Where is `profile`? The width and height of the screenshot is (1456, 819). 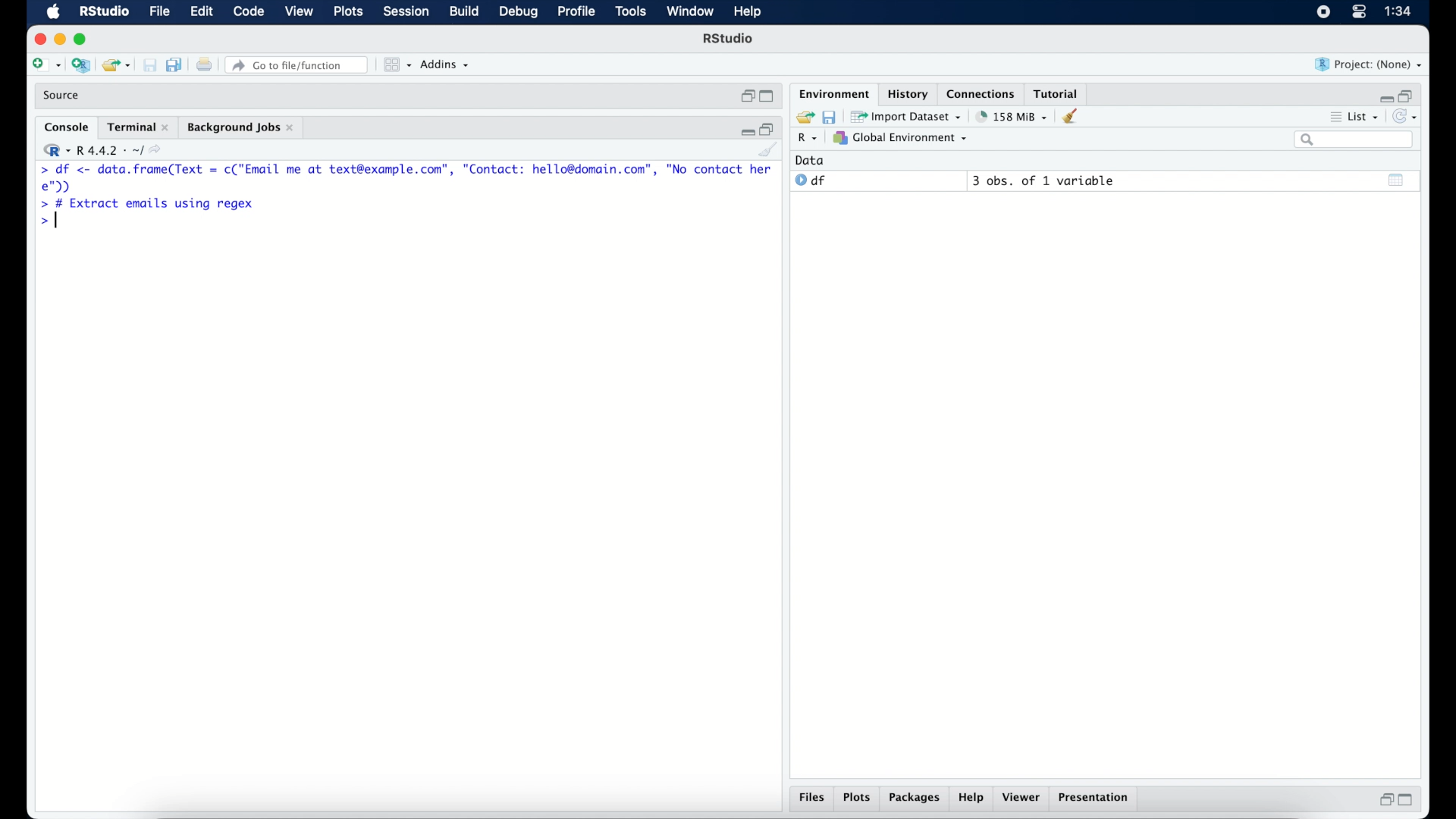
profile is located at coordinates (576, 12).